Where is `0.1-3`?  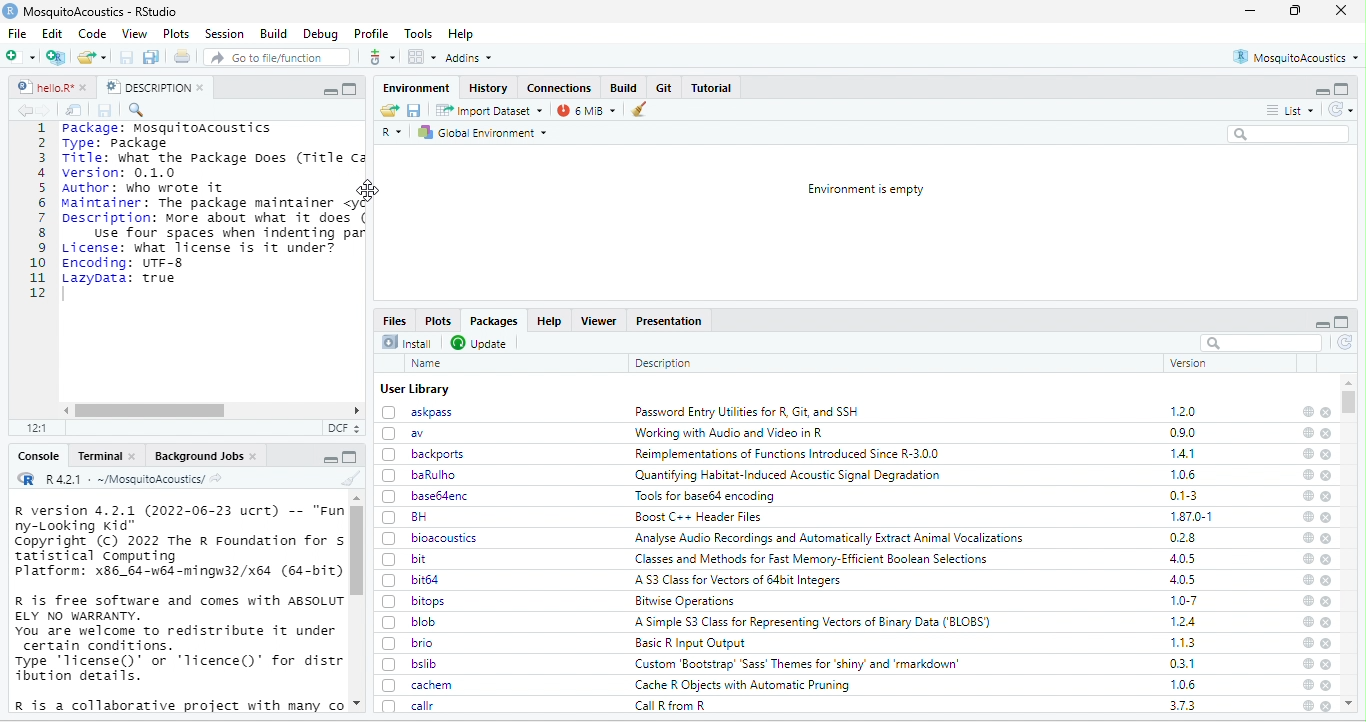 0.1-3 is located at coordinates (1182, 495).